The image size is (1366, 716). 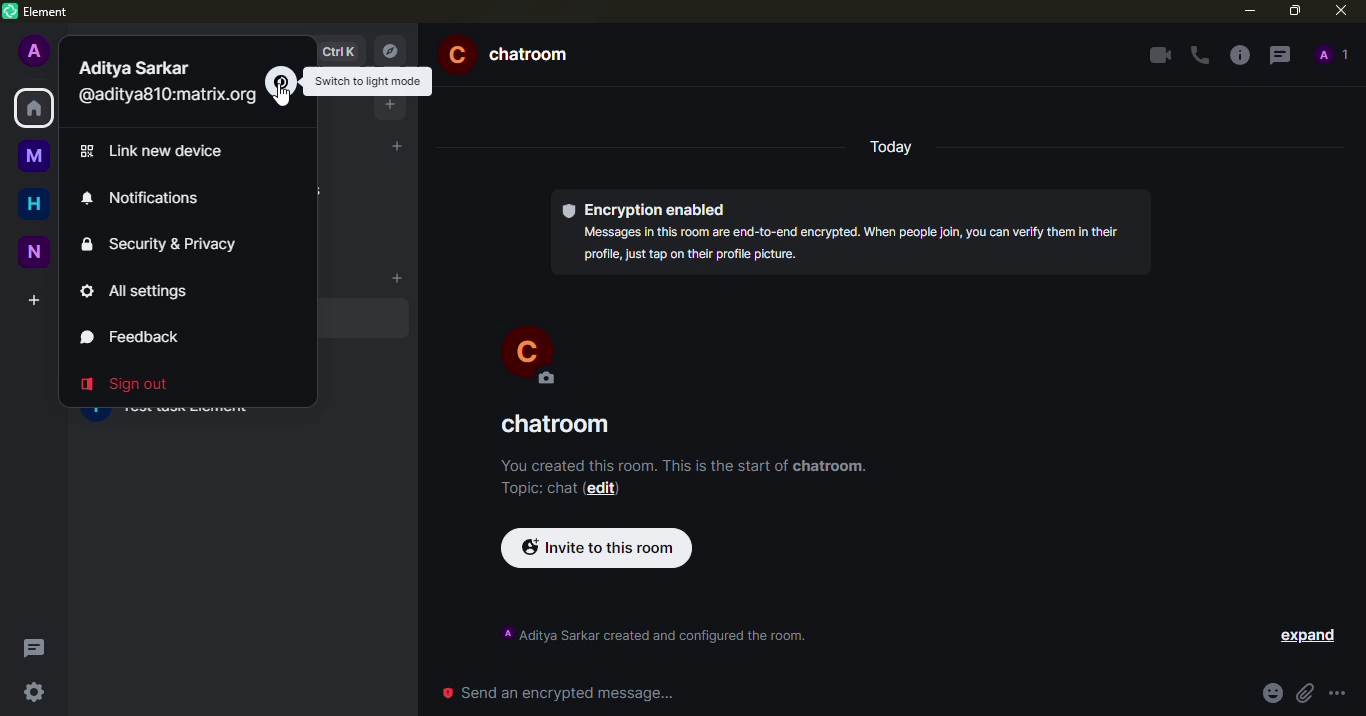 I want to click on encryption enabled, so click(x=647, y=209).